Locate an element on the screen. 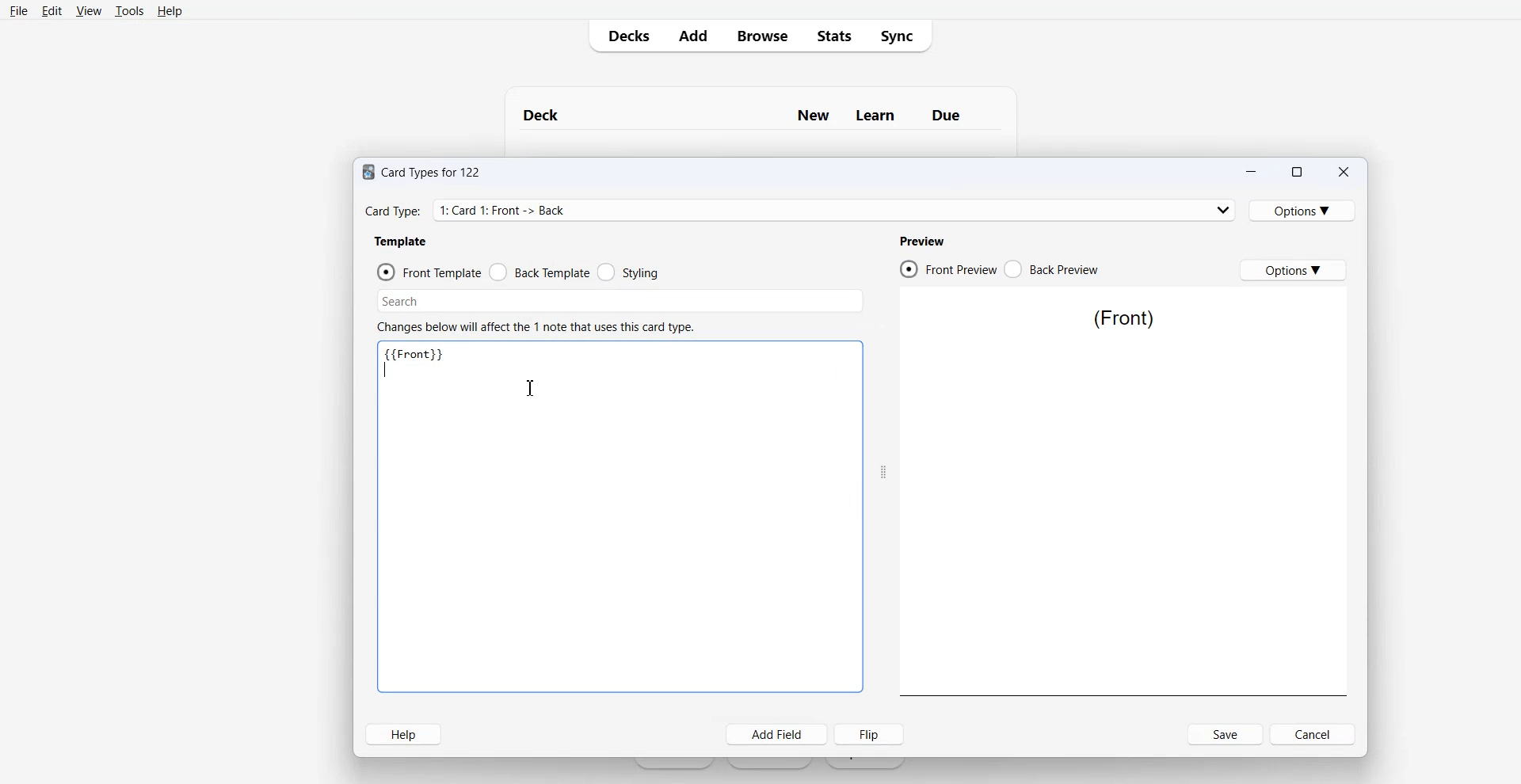 The width and height of the screenshot is (1521, 784). Stats is located at coordinates (834, 36).